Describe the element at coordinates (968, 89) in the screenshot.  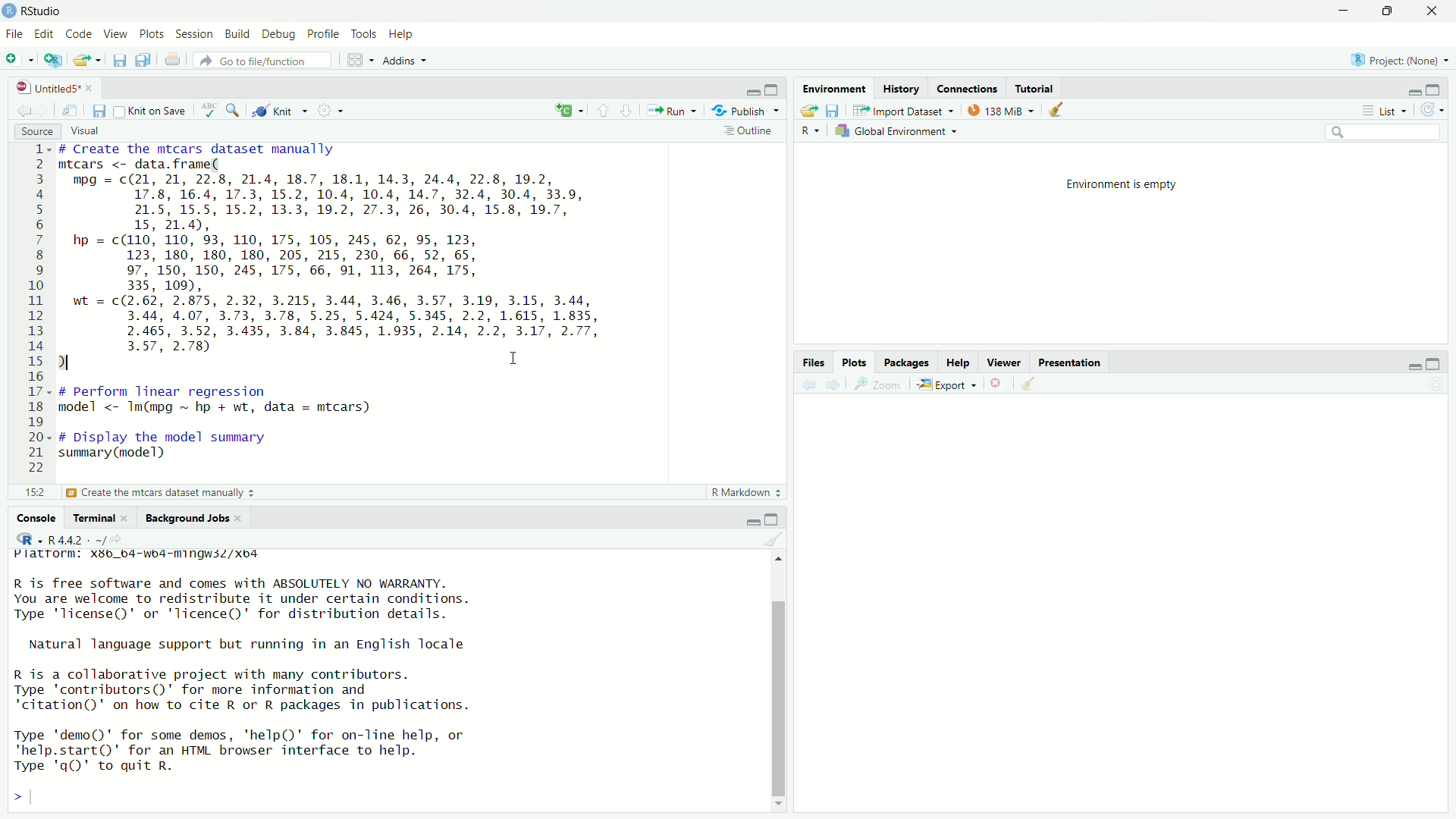
I see `Connections` at that location.